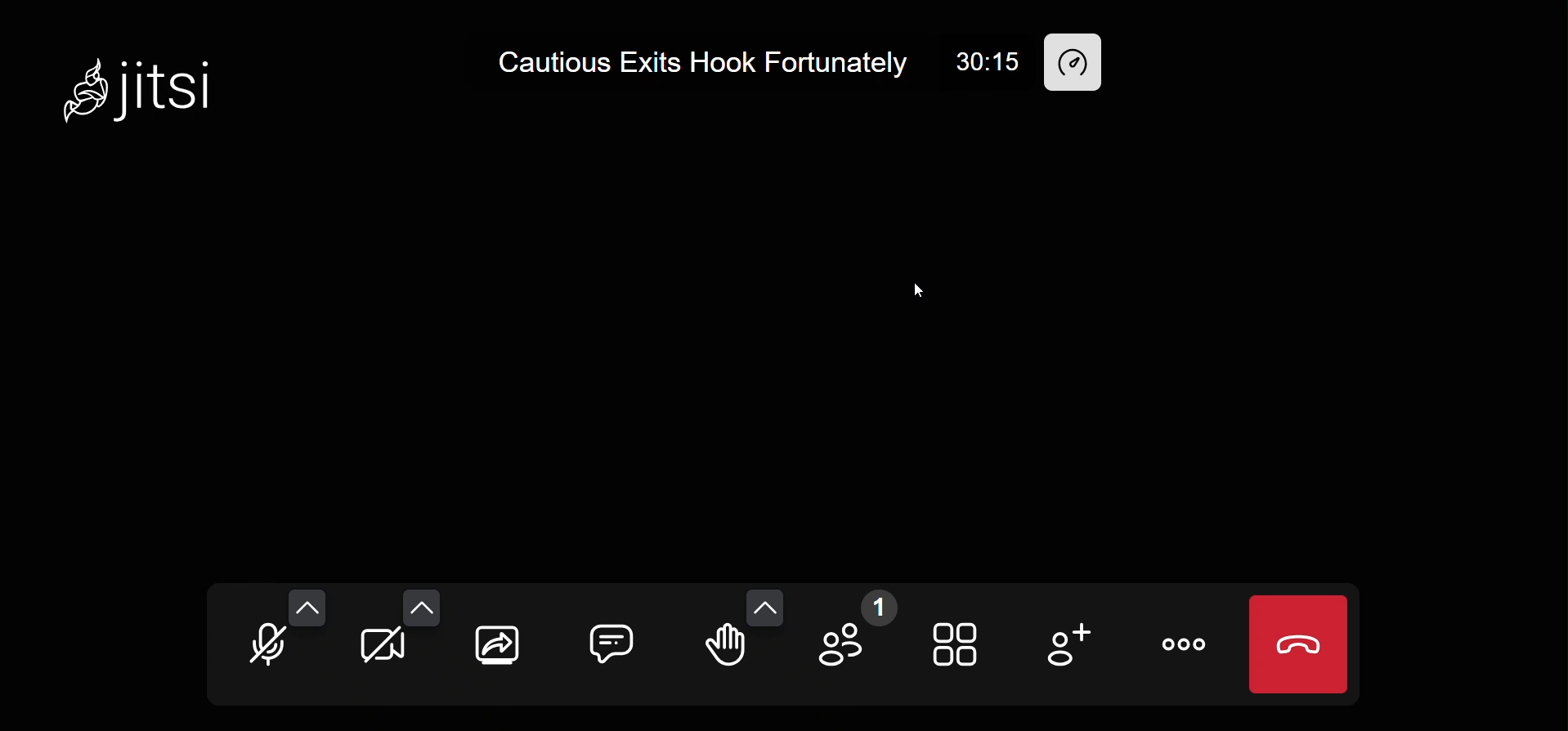 This screenshot has width=1568, height=731. What do you see at coordinates (764, 601) in the screenshot?
I see `more emoji` at bounding box center [764, 601].